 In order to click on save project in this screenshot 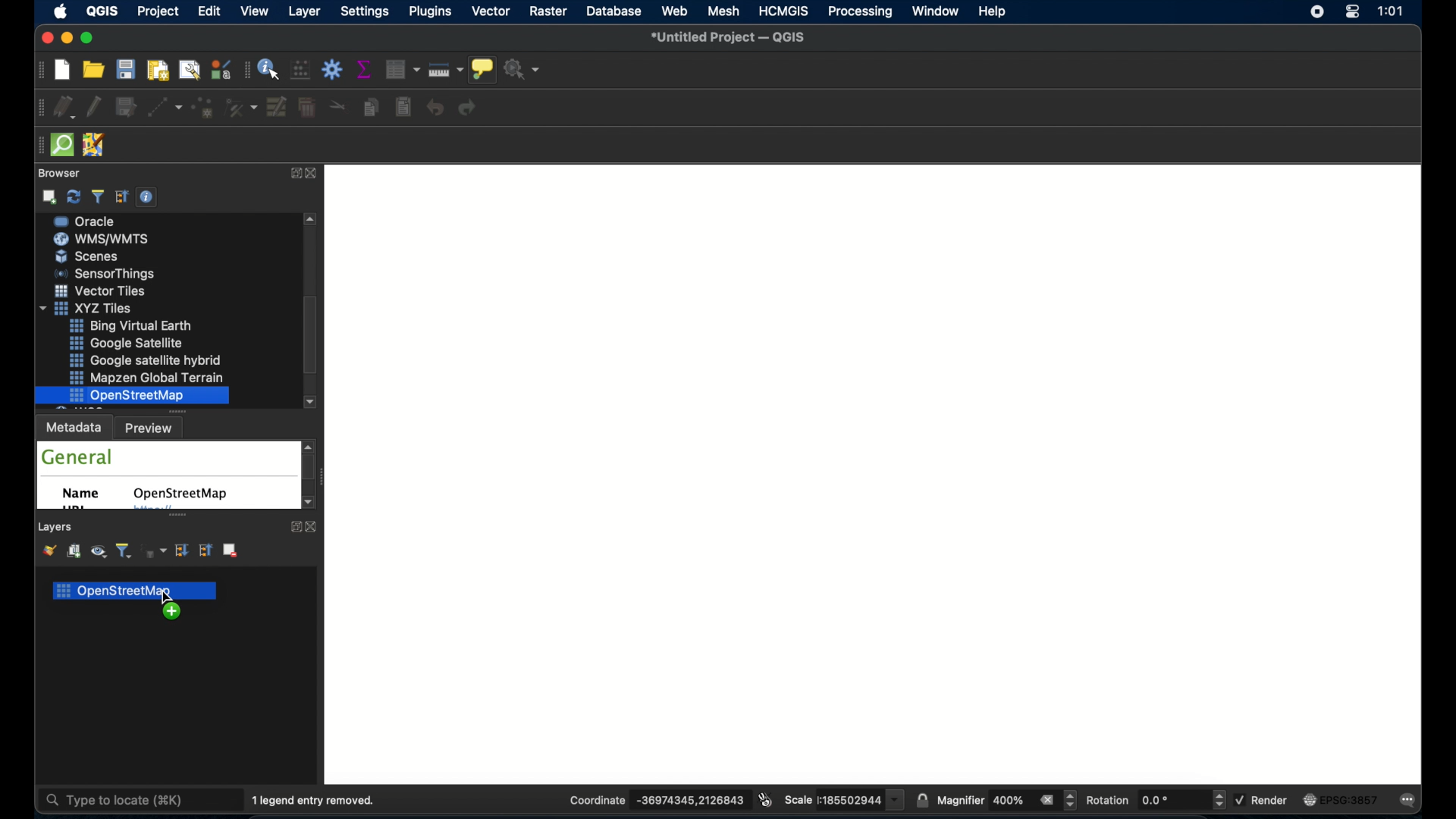, I will do `click(127, 71)`.